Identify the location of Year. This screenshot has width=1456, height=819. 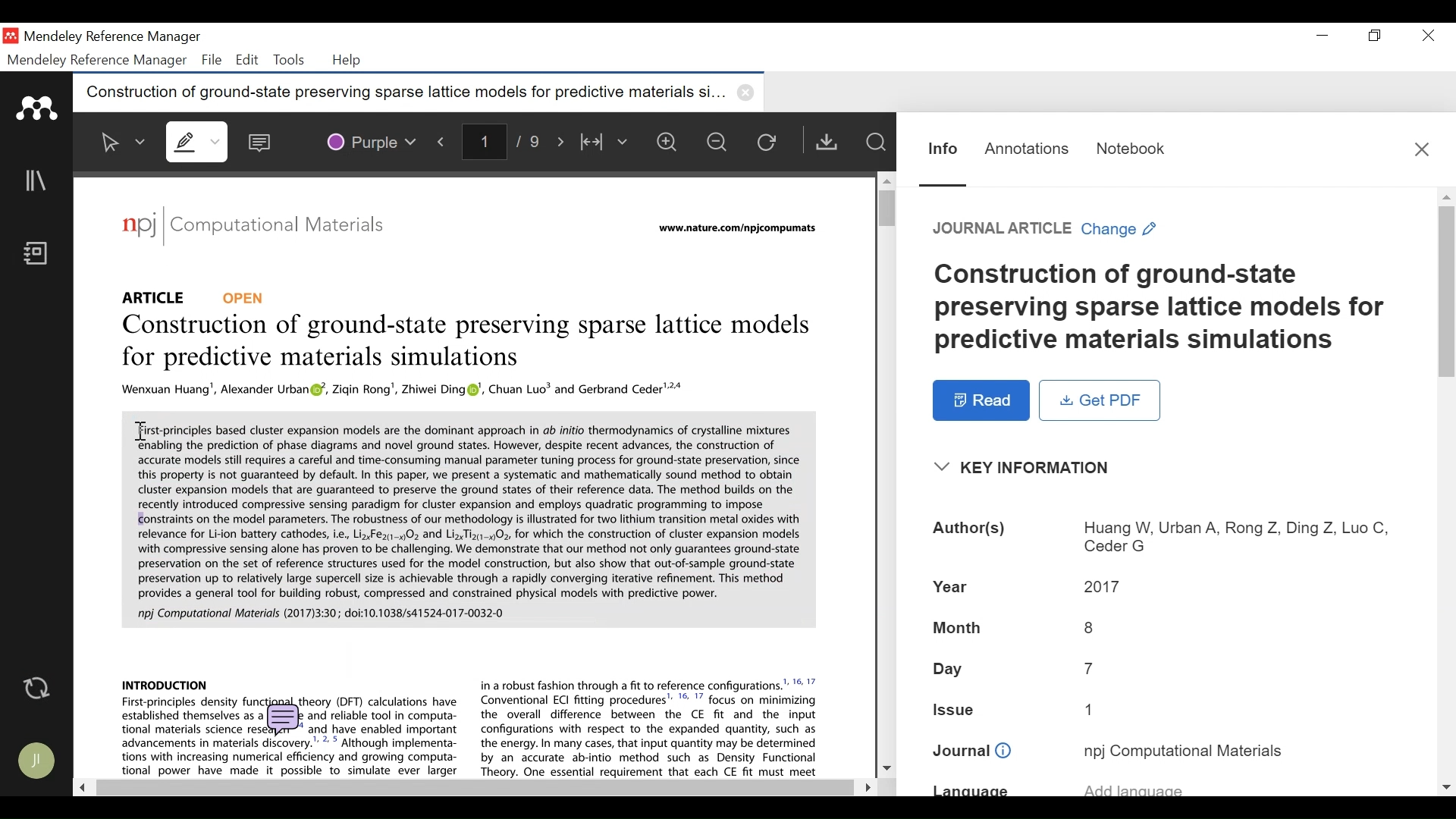
(1103, 585).